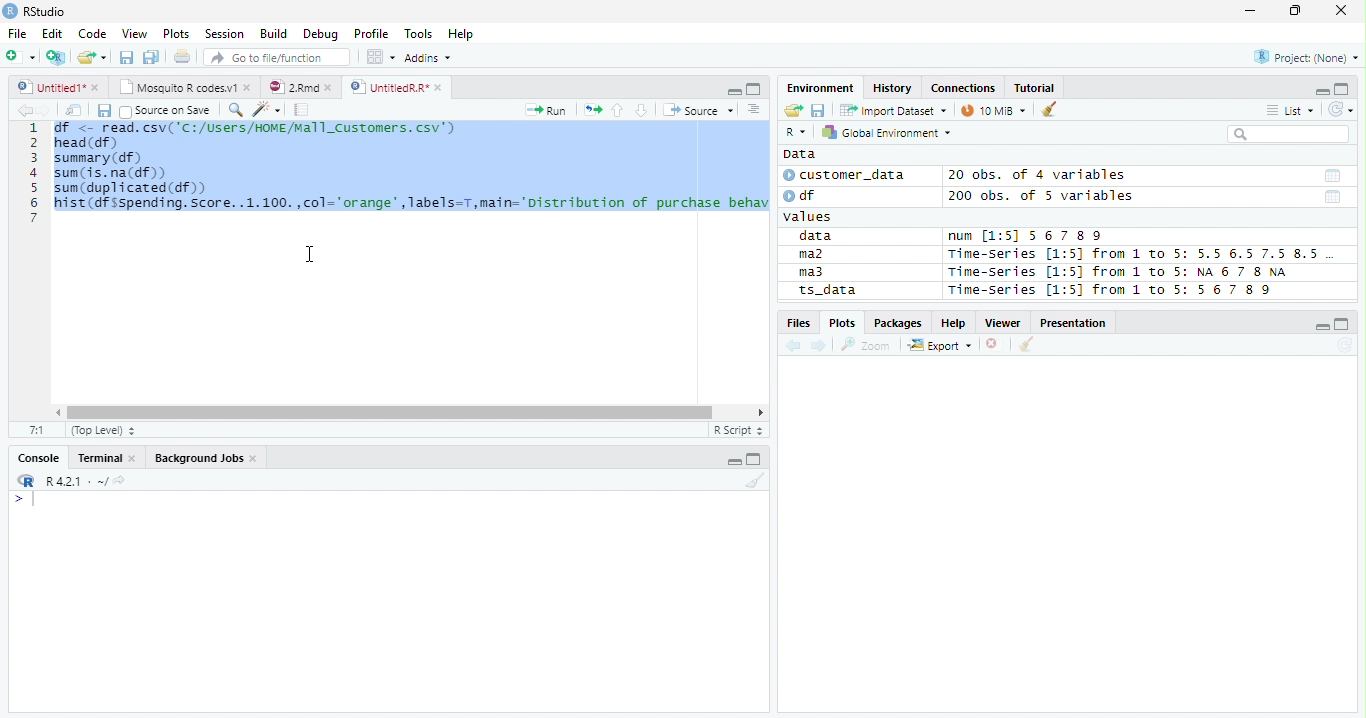 The height and width of the screenshot is (718, 1366). What do you see at coordinates (106, 460) in the screenshot?
I see `Terminal` at bounding box center [106, 460].